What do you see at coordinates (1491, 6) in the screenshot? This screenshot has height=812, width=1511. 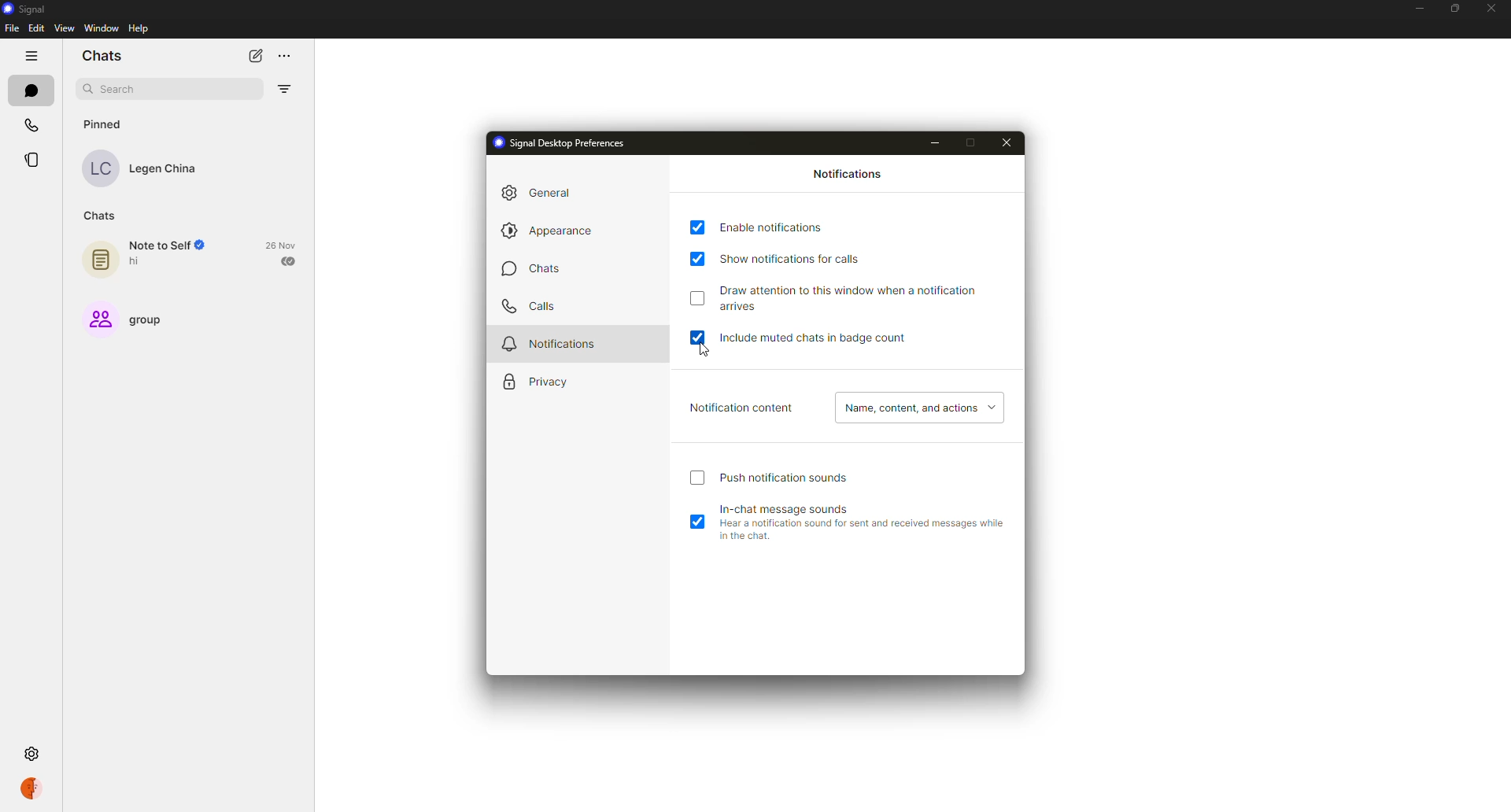 I see `close` at bounding box center [1491, 6].